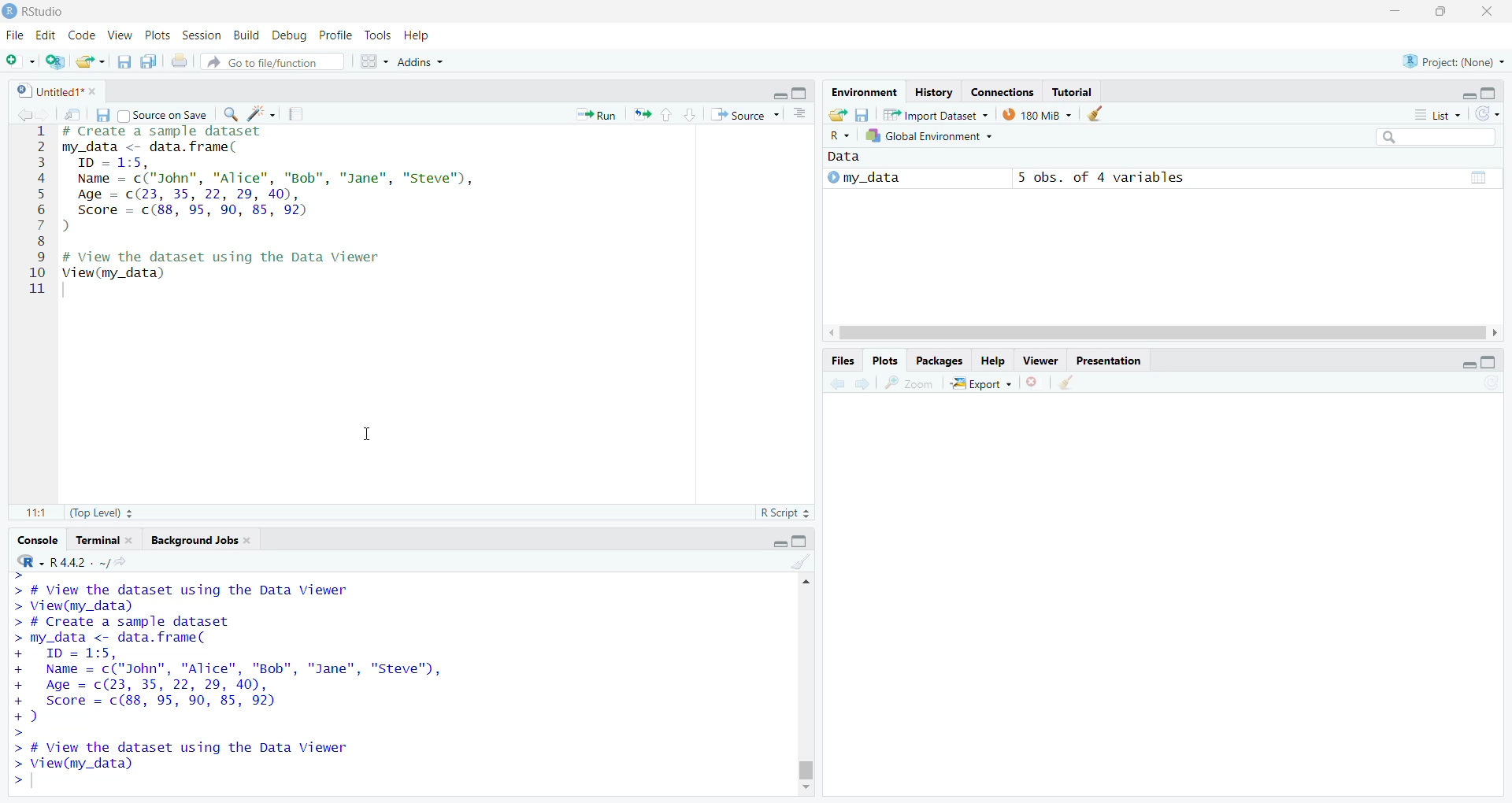  I want to click on Print the current file, so click(176, 61).